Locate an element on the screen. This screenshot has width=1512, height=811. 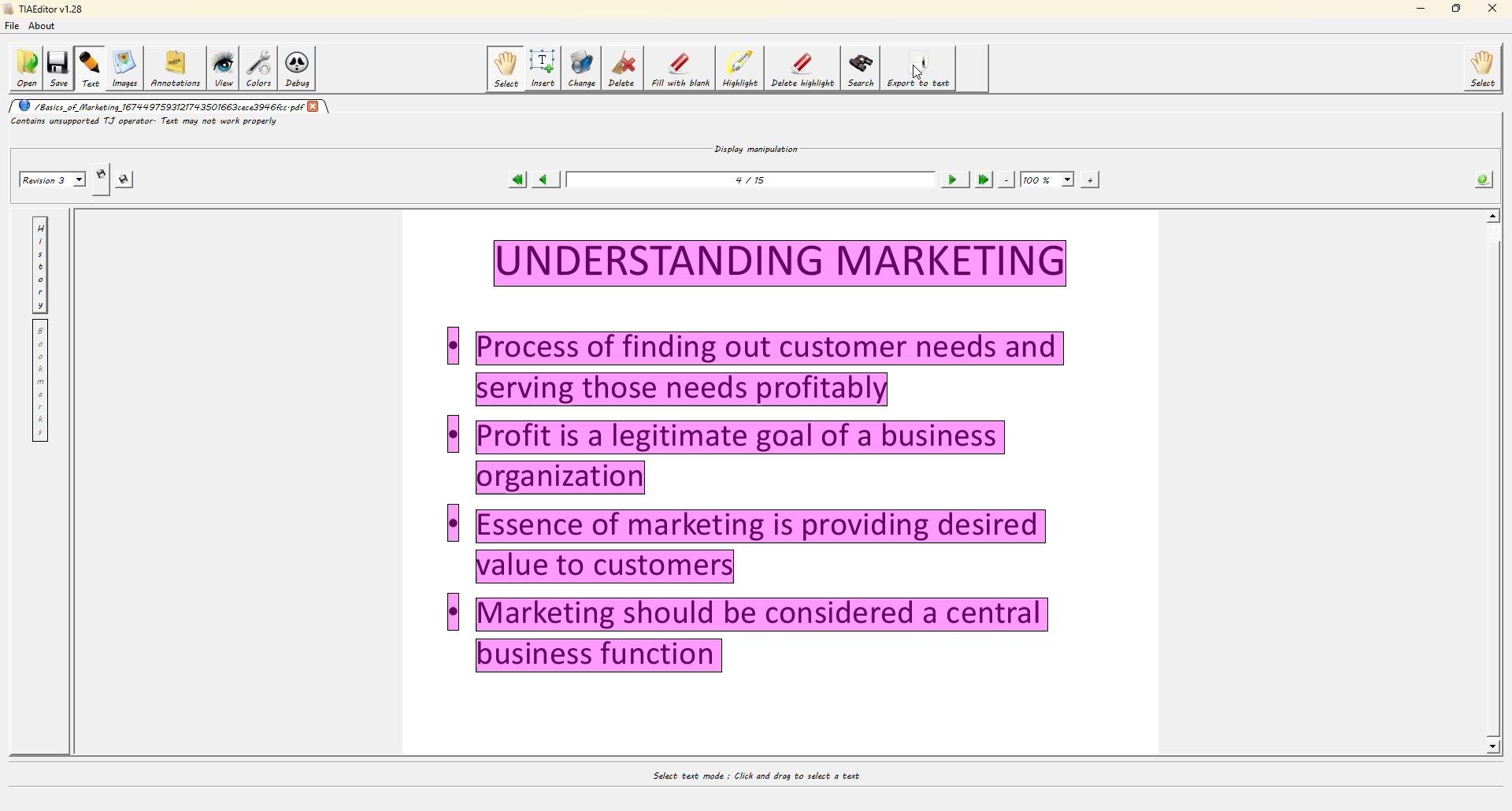
page number is located at coordinates (754, 180).